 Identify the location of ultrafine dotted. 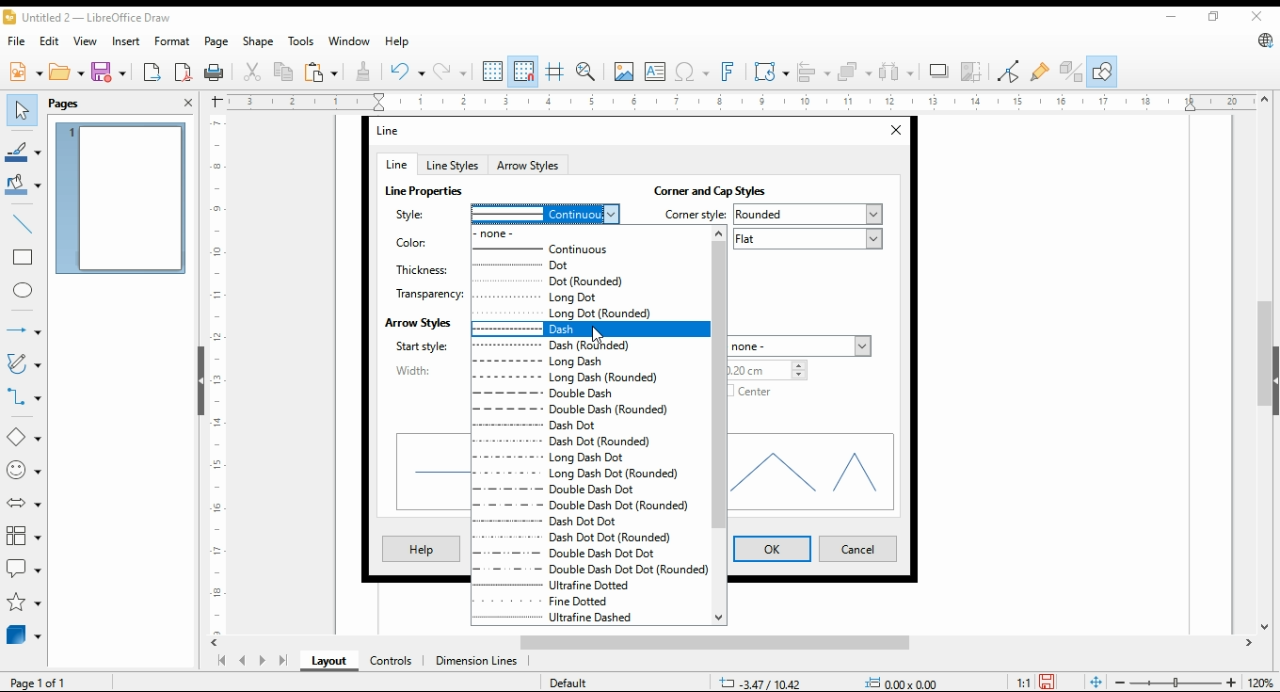
(572, 585).